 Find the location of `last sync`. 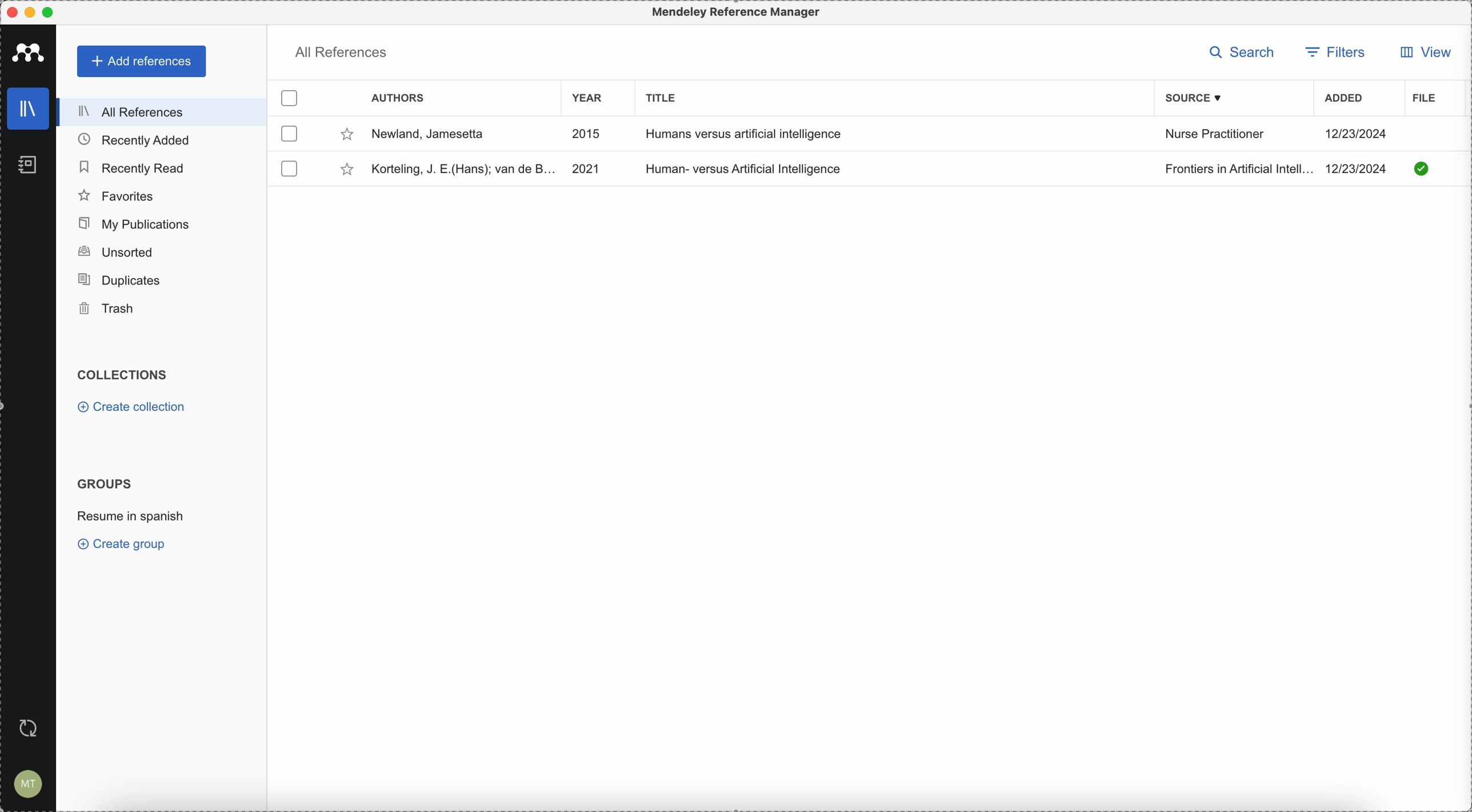

last sync is located at coordinates (30, 729).